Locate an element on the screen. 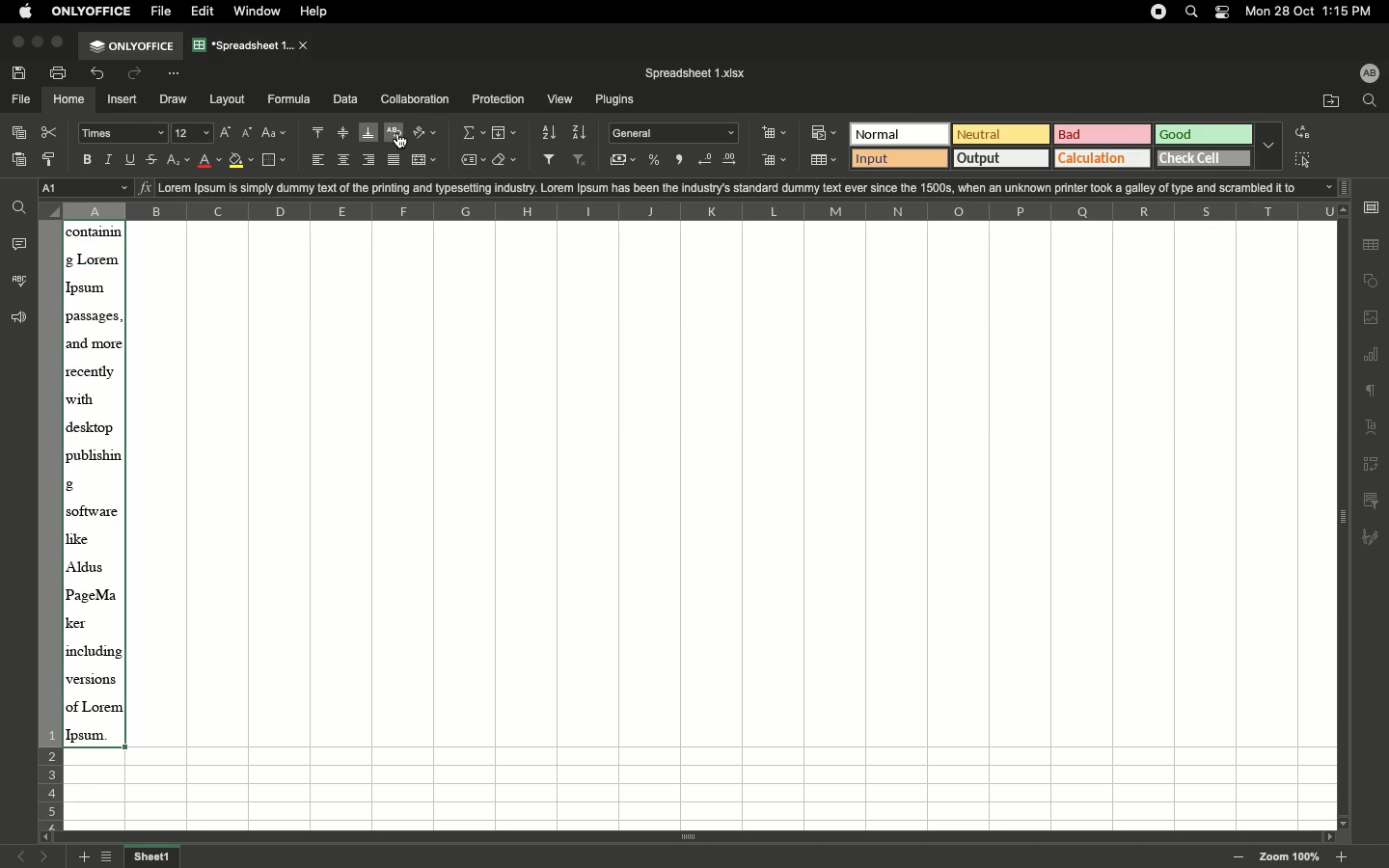 The image size is (1389, 868). Help is located at coordinates (320, 12).